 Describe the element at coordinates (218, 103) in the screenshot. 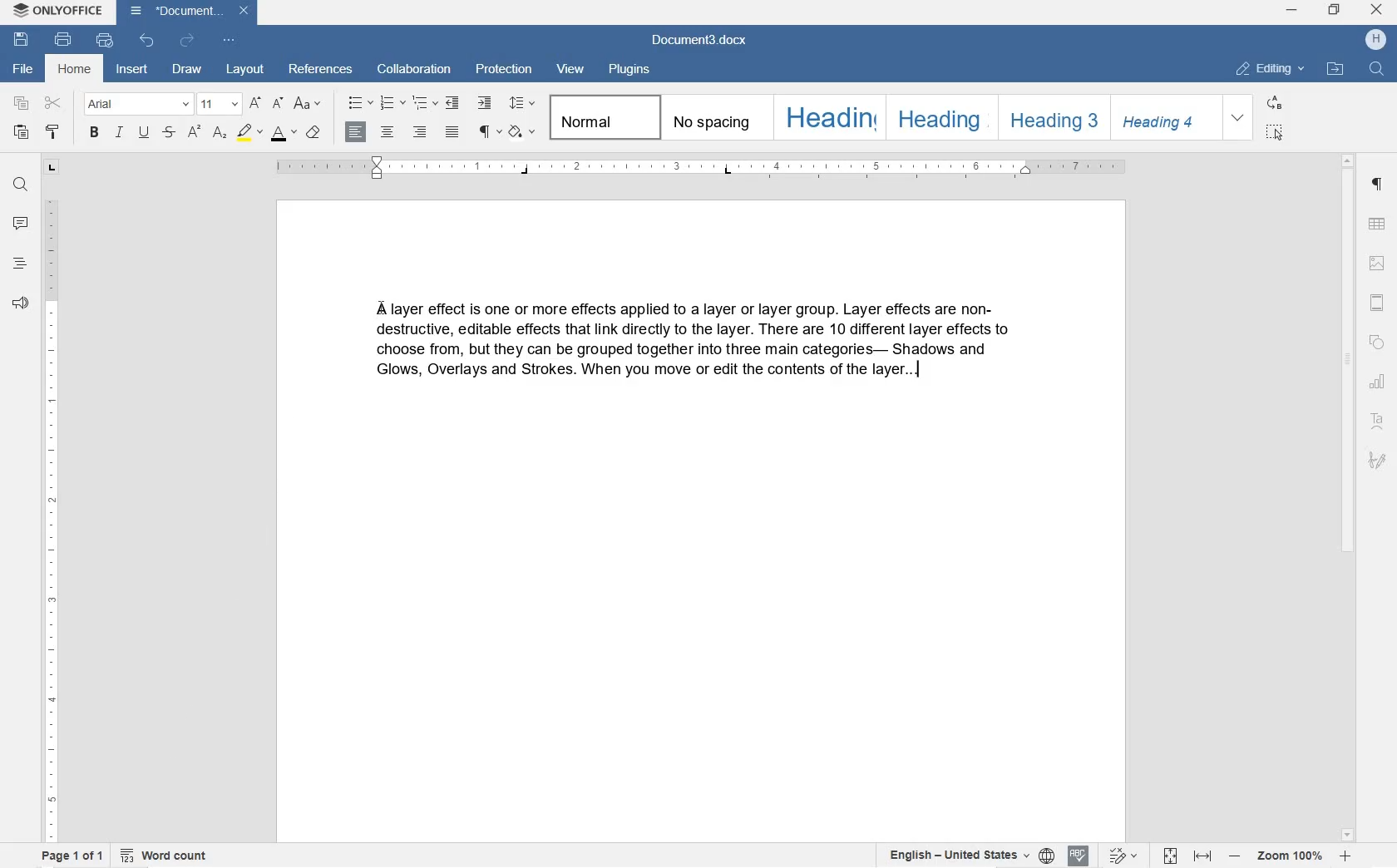

I see `FONT SIZE` at that location.